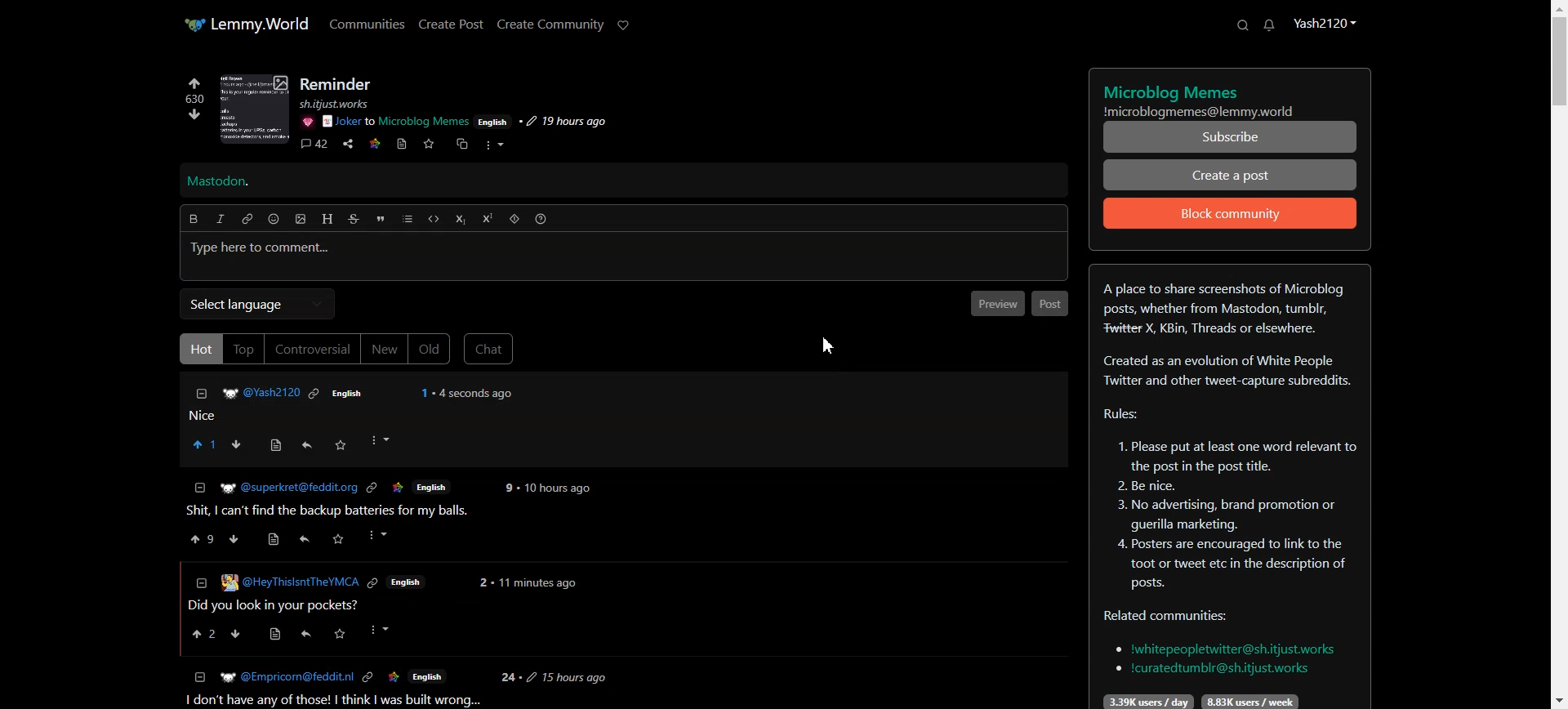 The height and width of the screenshot is (709, 1568). What do you see at coordinates (550, 25) in the screenshot?
I see `Create Community` at bounding box center [550, 25].